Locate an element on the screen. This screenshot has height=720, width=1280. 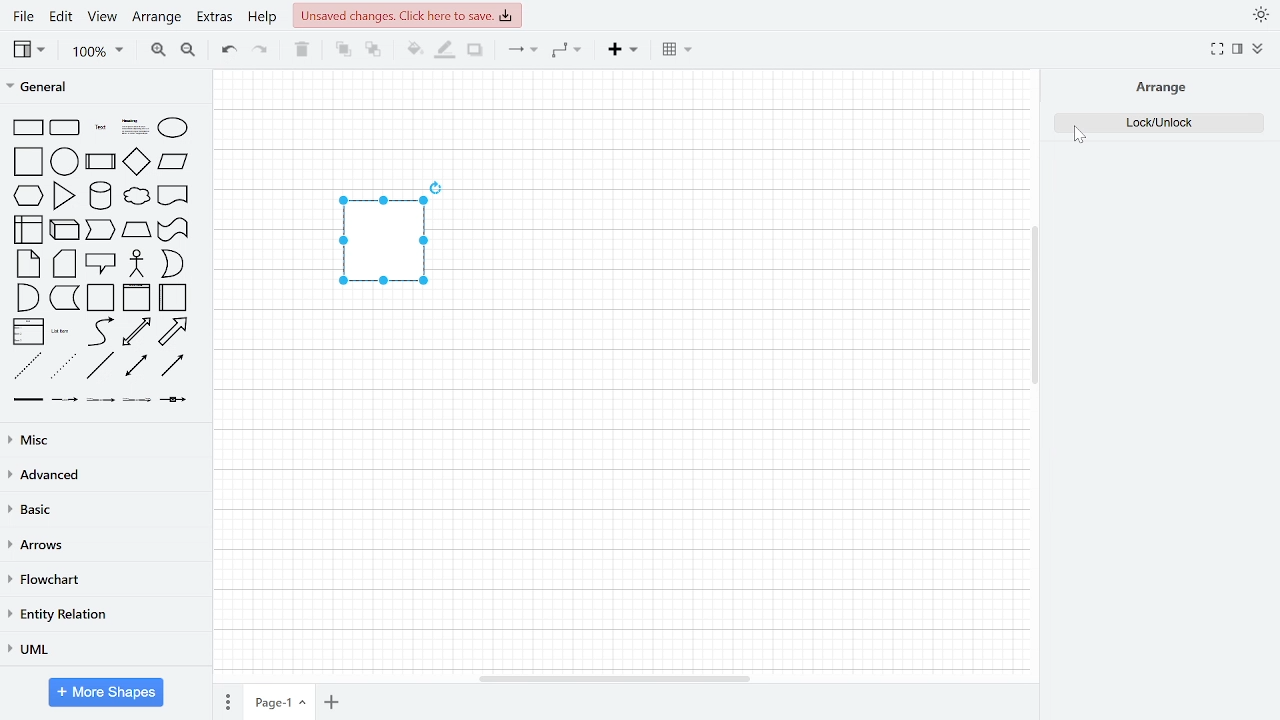
view is located at coordinates (102, 19).